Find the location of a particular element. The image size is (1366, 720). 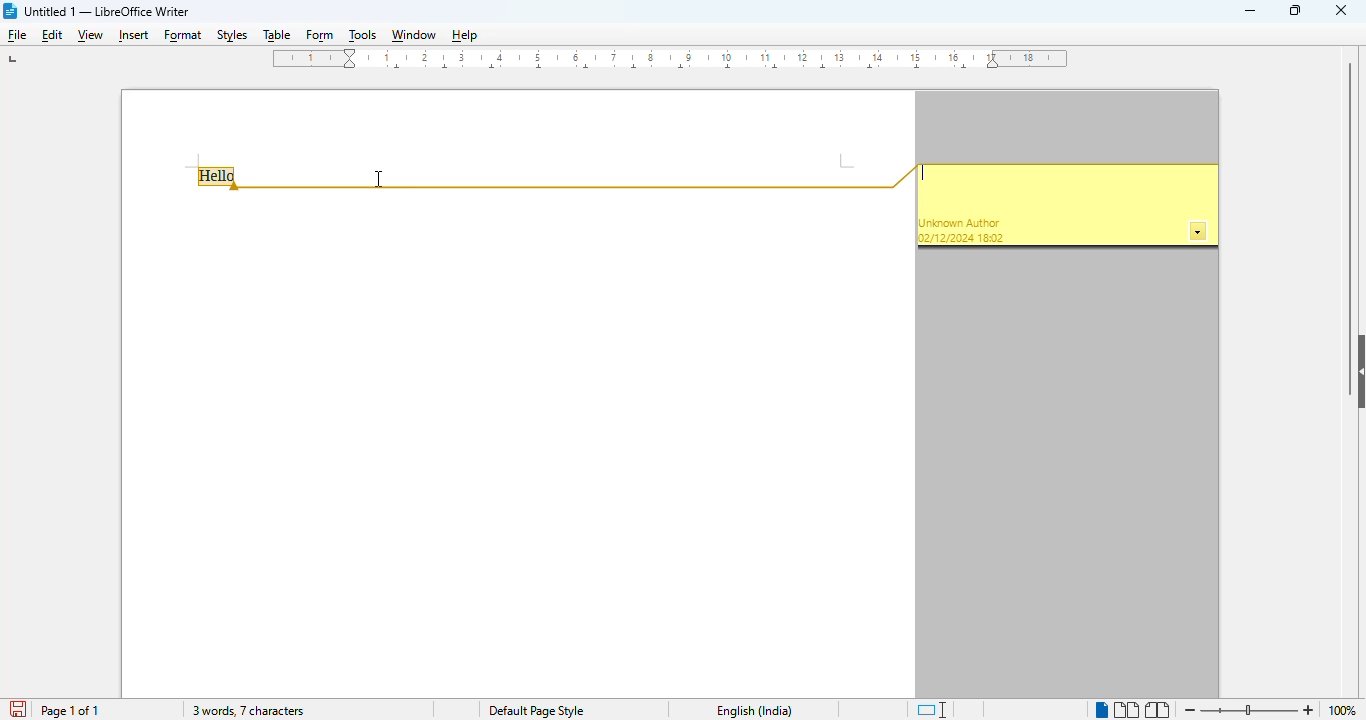

text language is located at coordinates (755, 711).